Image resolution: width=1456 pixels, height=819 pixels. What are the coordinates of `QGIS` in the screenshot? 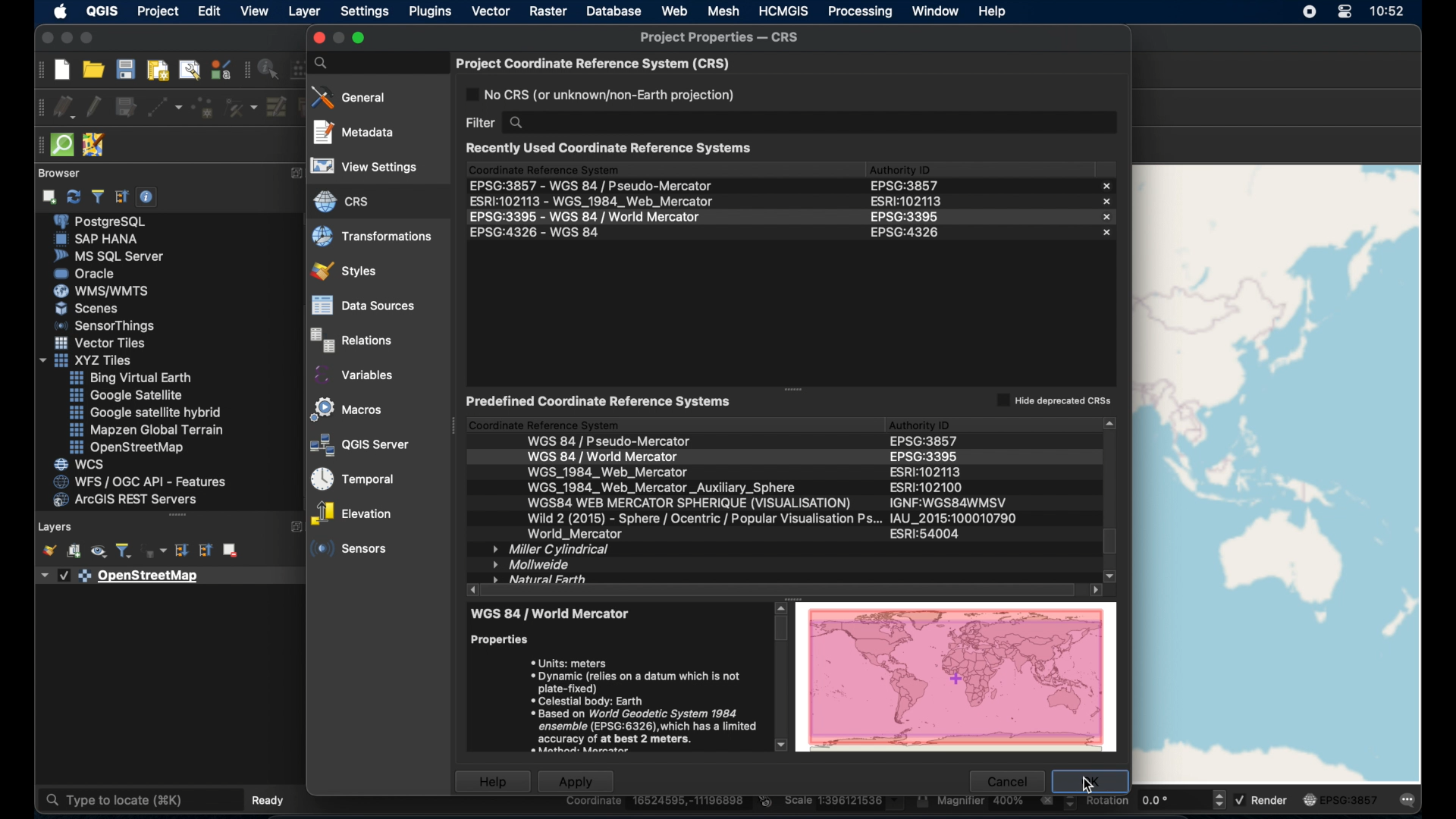 It's located at (104, 11).